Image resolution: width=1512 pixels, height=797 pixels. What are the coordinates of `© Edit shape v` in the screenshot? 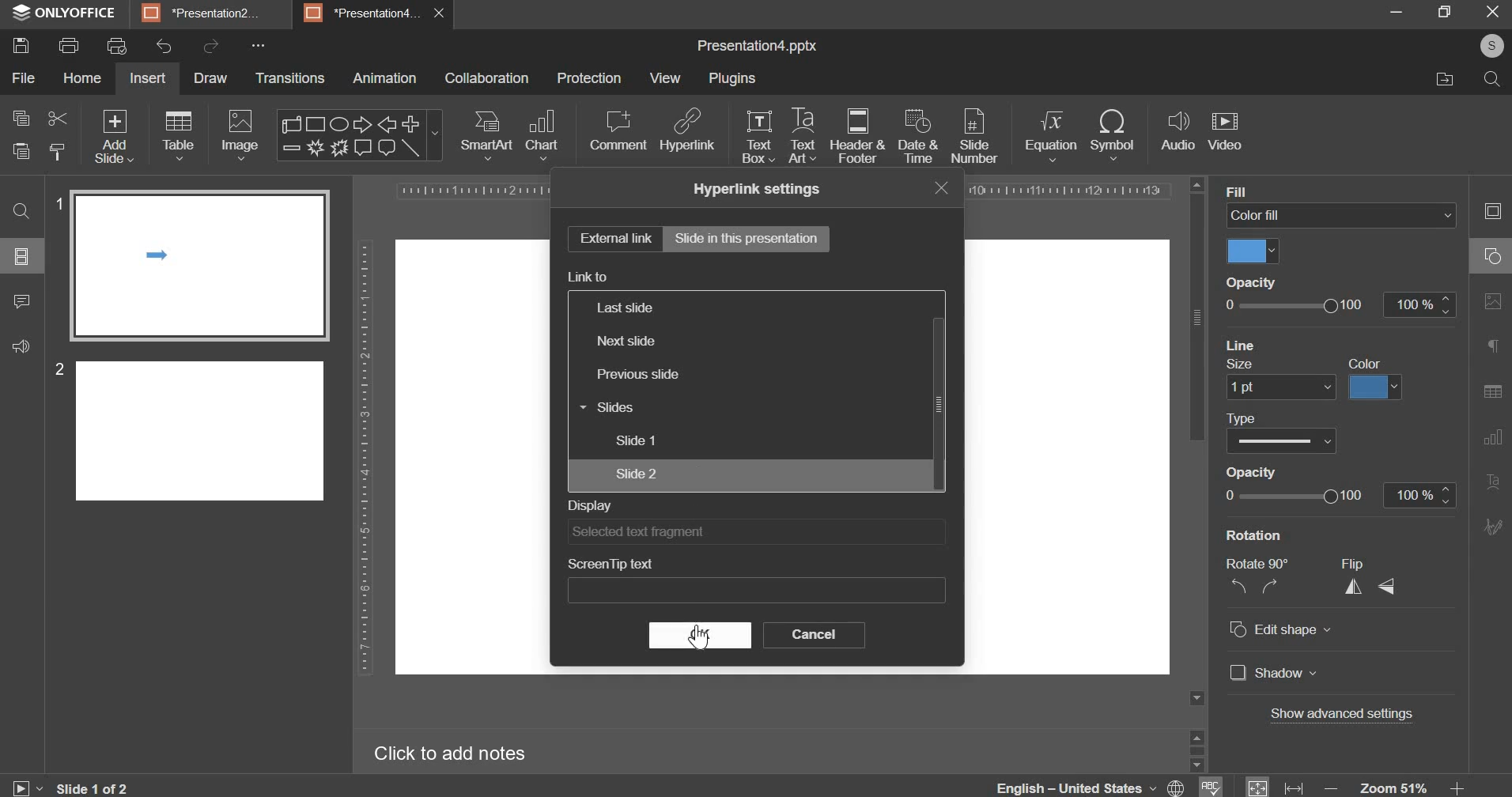 It's located at (1283, 633).